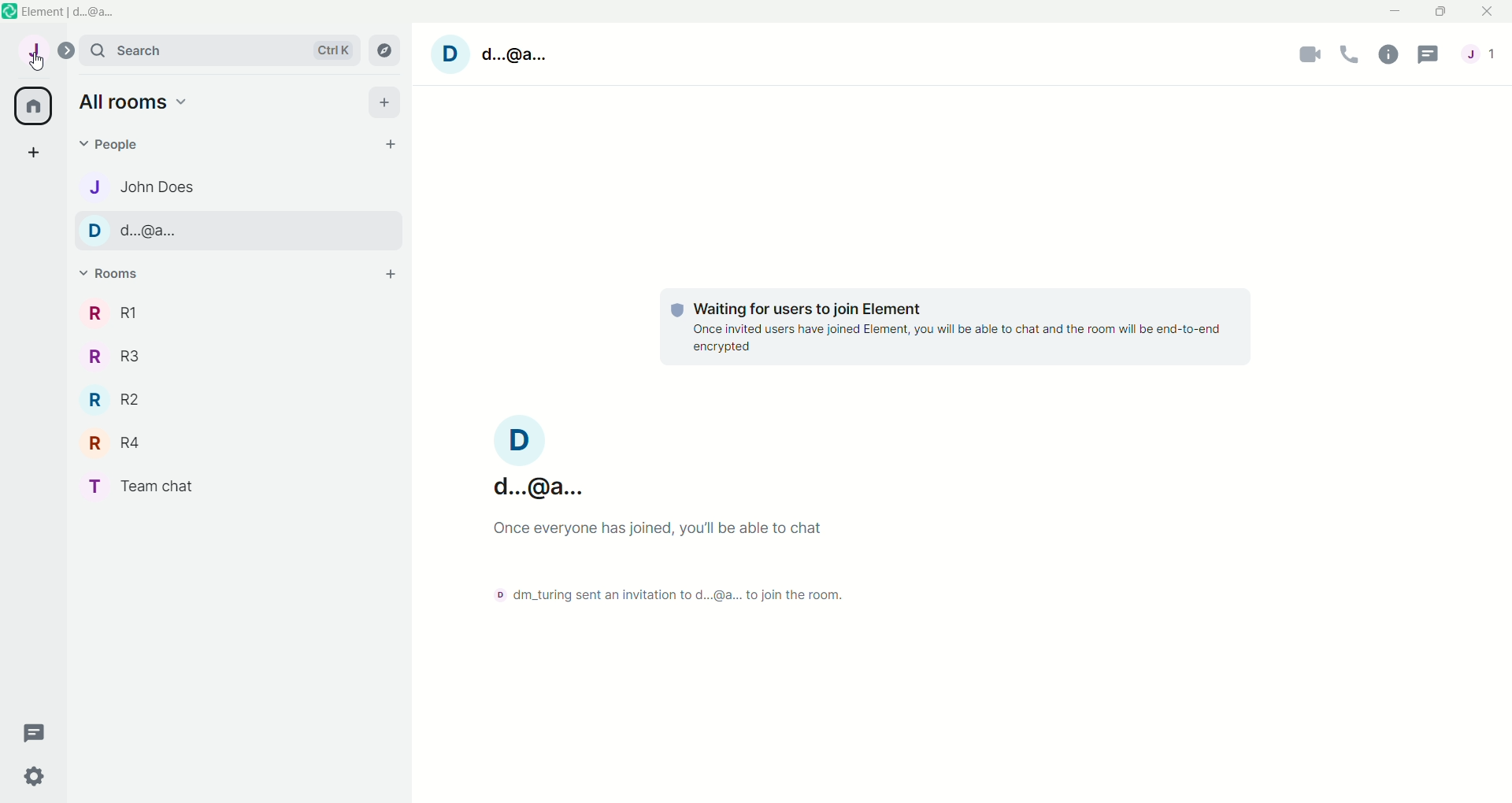 This screenshot has height=803, width=1512. Describe the element at coordinates (1488, 11) in the screenshot. I see `close` at that location.